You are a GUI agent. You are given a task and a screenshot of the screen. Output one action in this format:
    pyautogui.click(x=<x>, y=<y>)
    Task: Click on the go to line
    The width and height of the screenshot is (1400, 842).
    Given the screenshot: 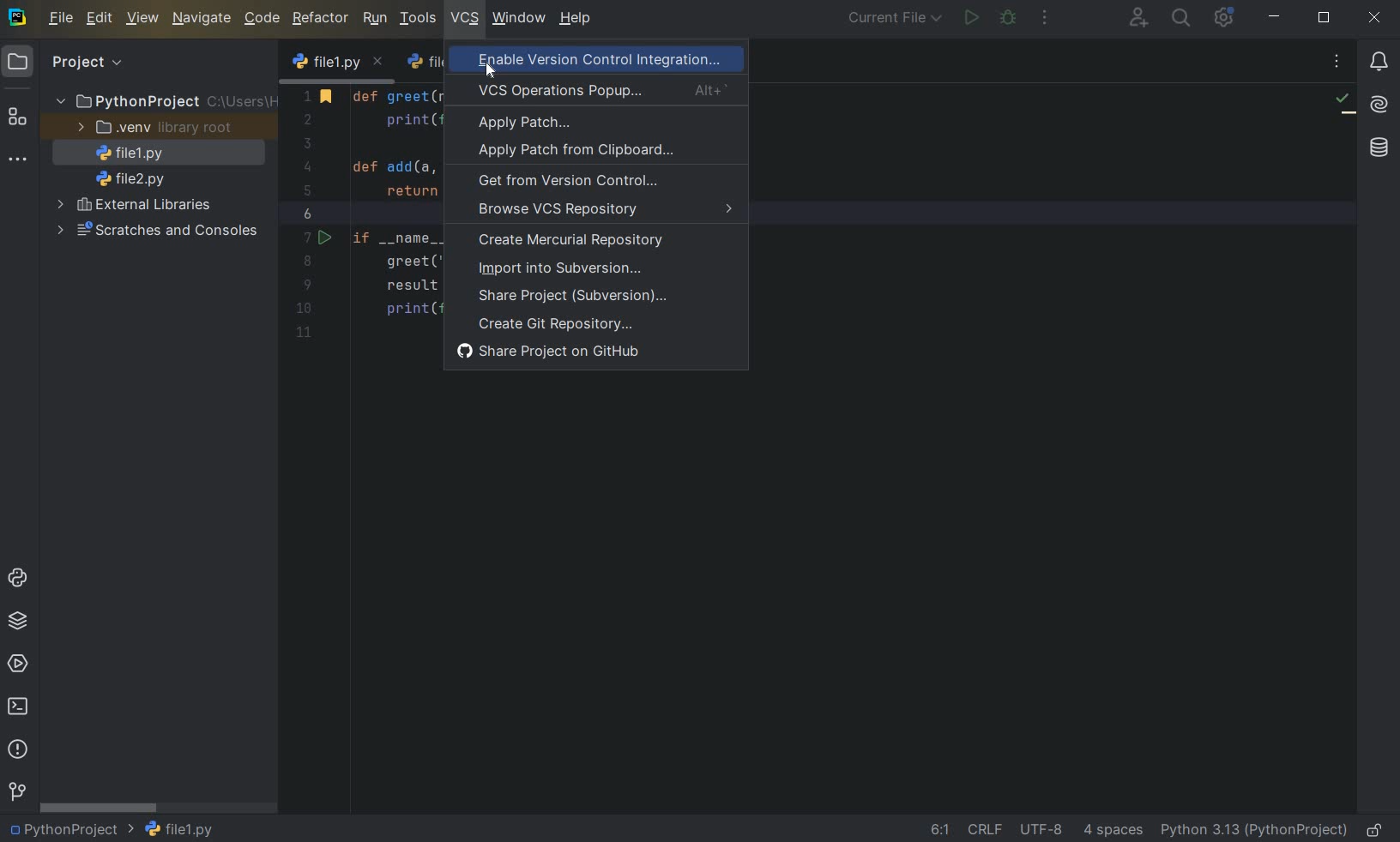 What is the action you would take?
    pyautogui.click(x=939, y=830)
    